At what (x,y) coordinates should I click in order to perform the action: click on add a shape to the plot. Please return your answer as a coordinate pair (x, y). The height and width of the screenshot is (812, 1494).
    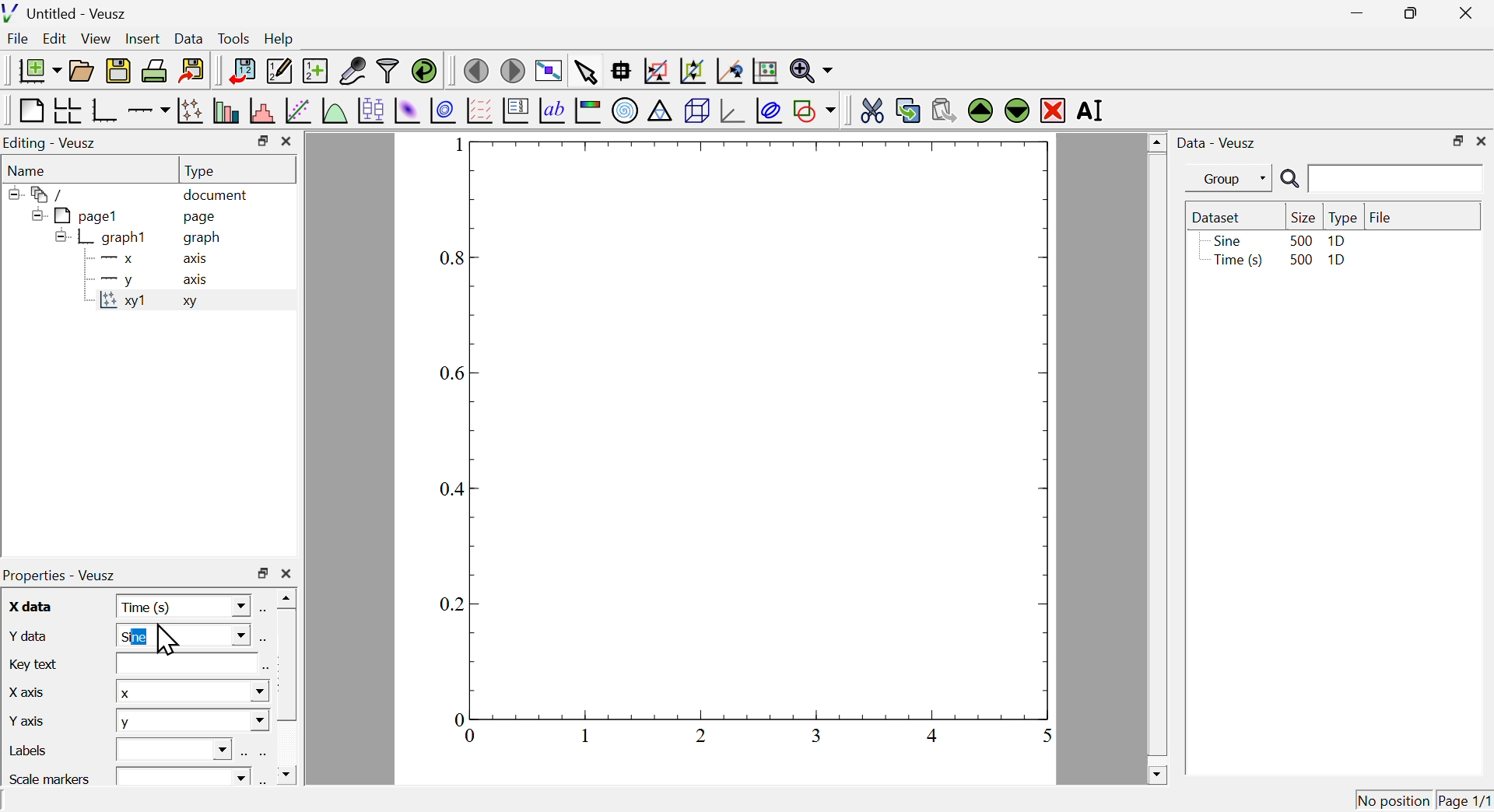
    Looking at the image, I should click on (815, 110).